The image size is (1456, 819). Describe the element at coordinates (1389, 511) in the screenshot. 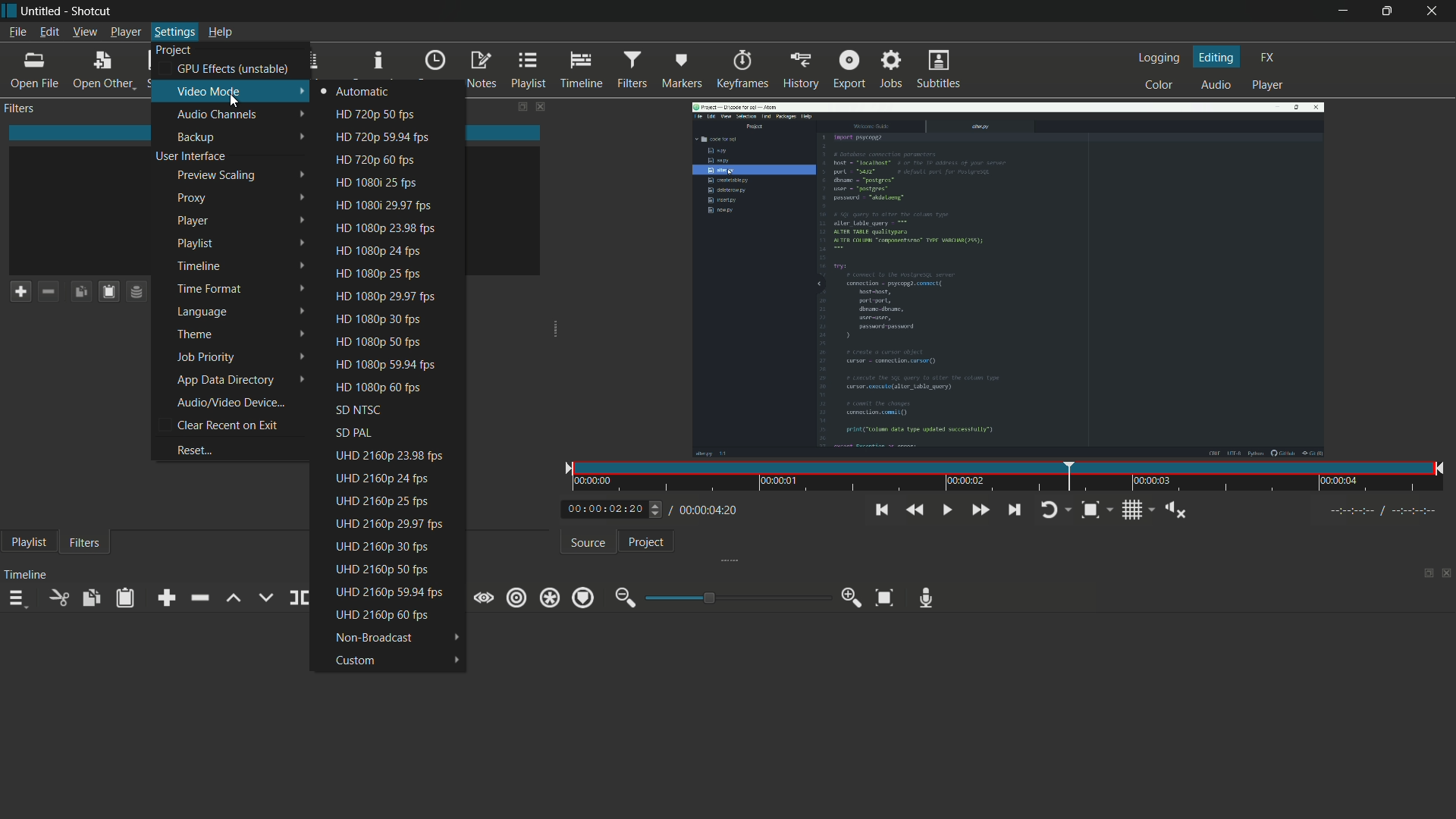

I see `` at that location.